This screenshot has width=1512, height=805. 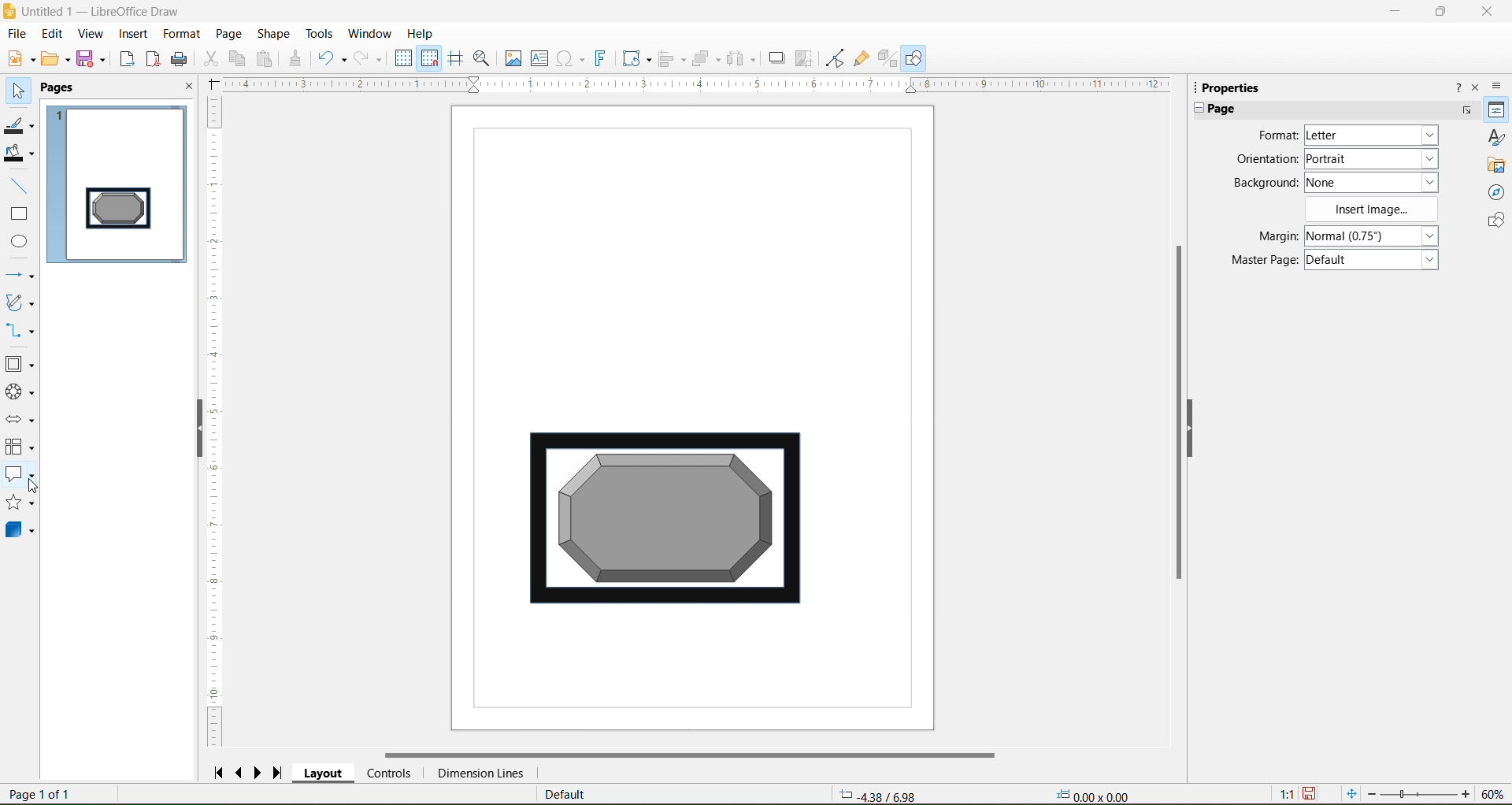 What do you see at coordinates (1486, 12) in the screenshot?
I see `Close` at bounding box center [1486, 12].